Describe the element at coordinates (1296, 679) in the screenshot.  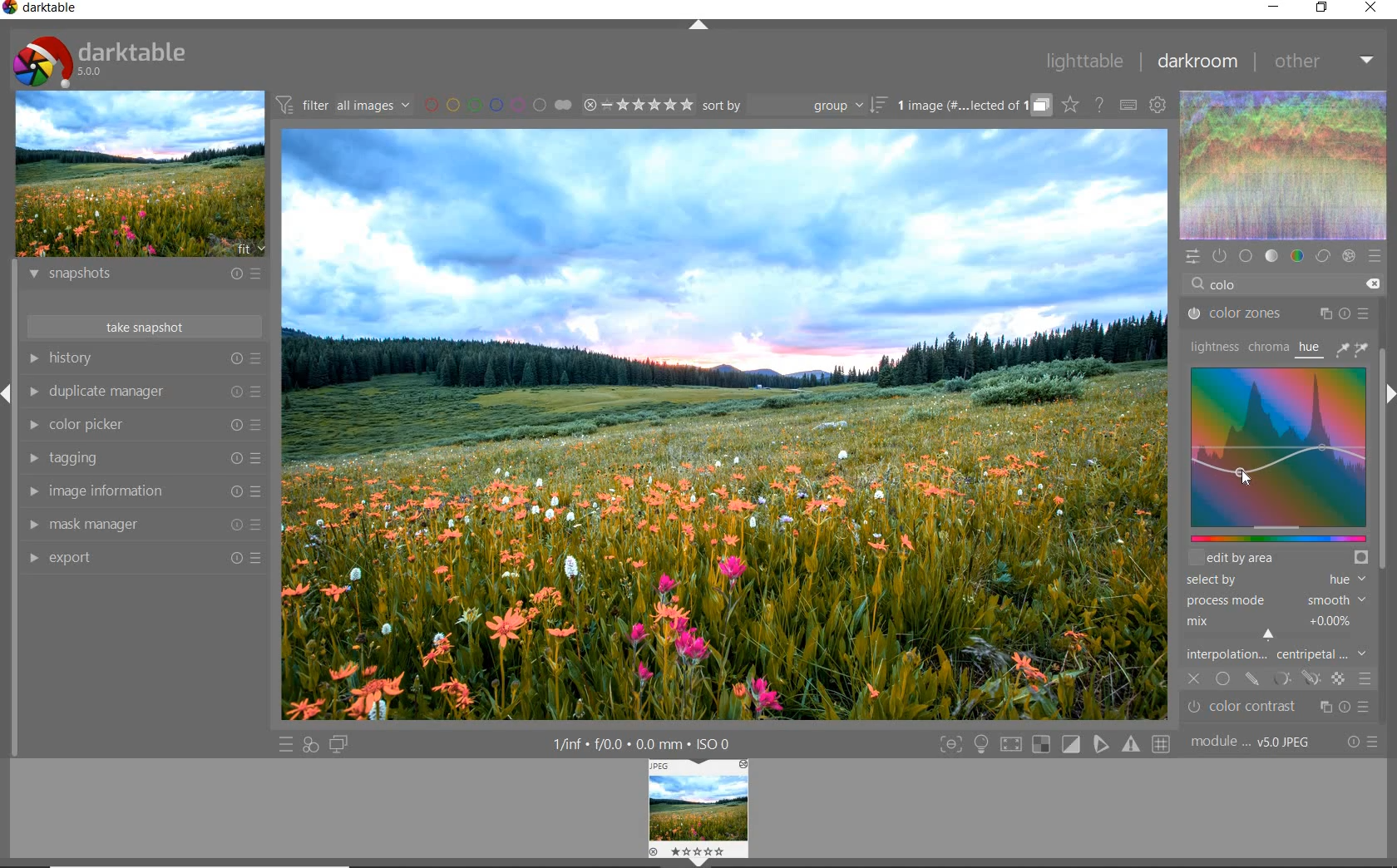
I see `mask options` at that location.